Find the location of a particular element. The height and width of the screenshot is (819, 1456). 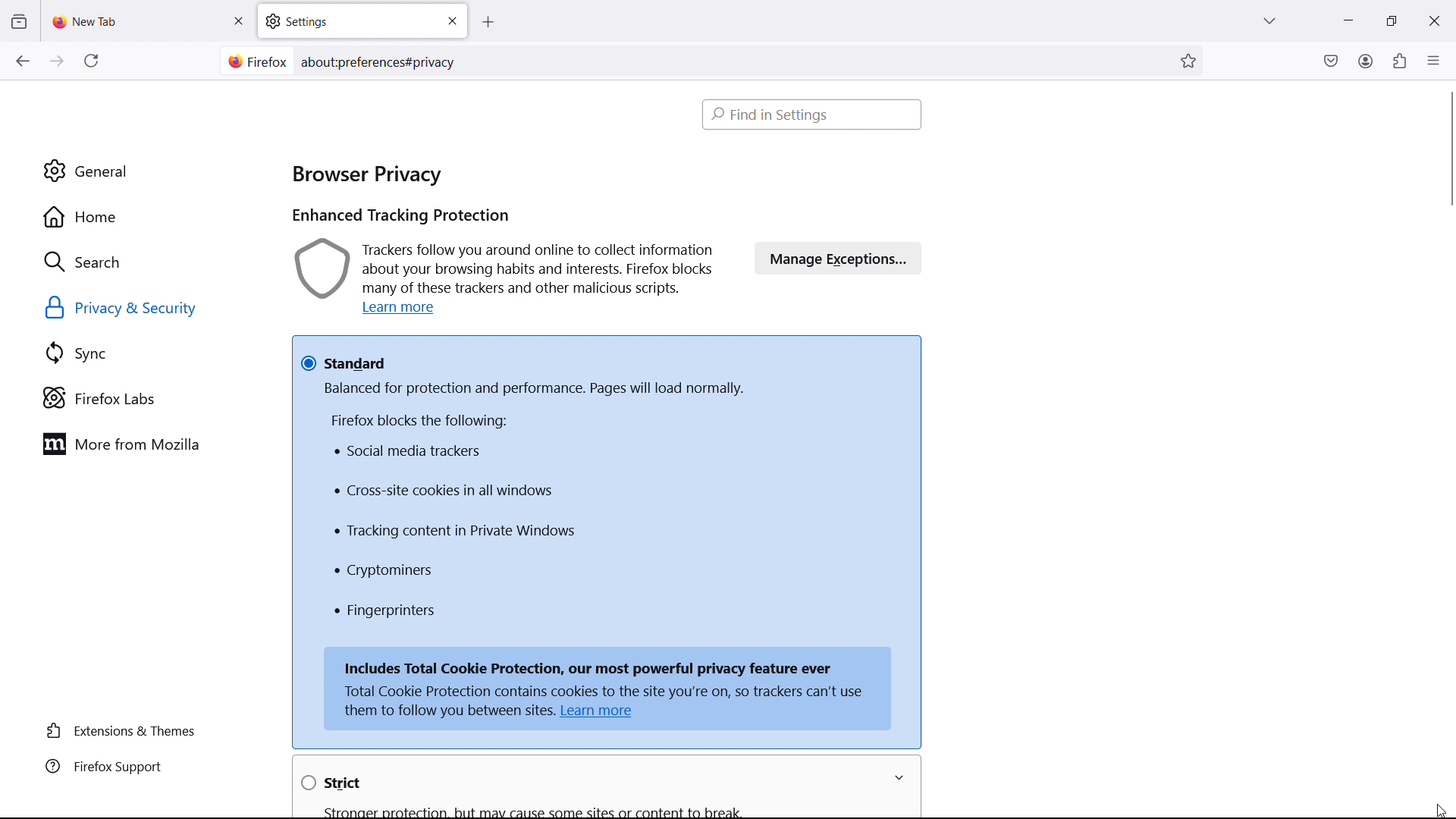

privacy and security option selected is located at coordinates (139, 309).